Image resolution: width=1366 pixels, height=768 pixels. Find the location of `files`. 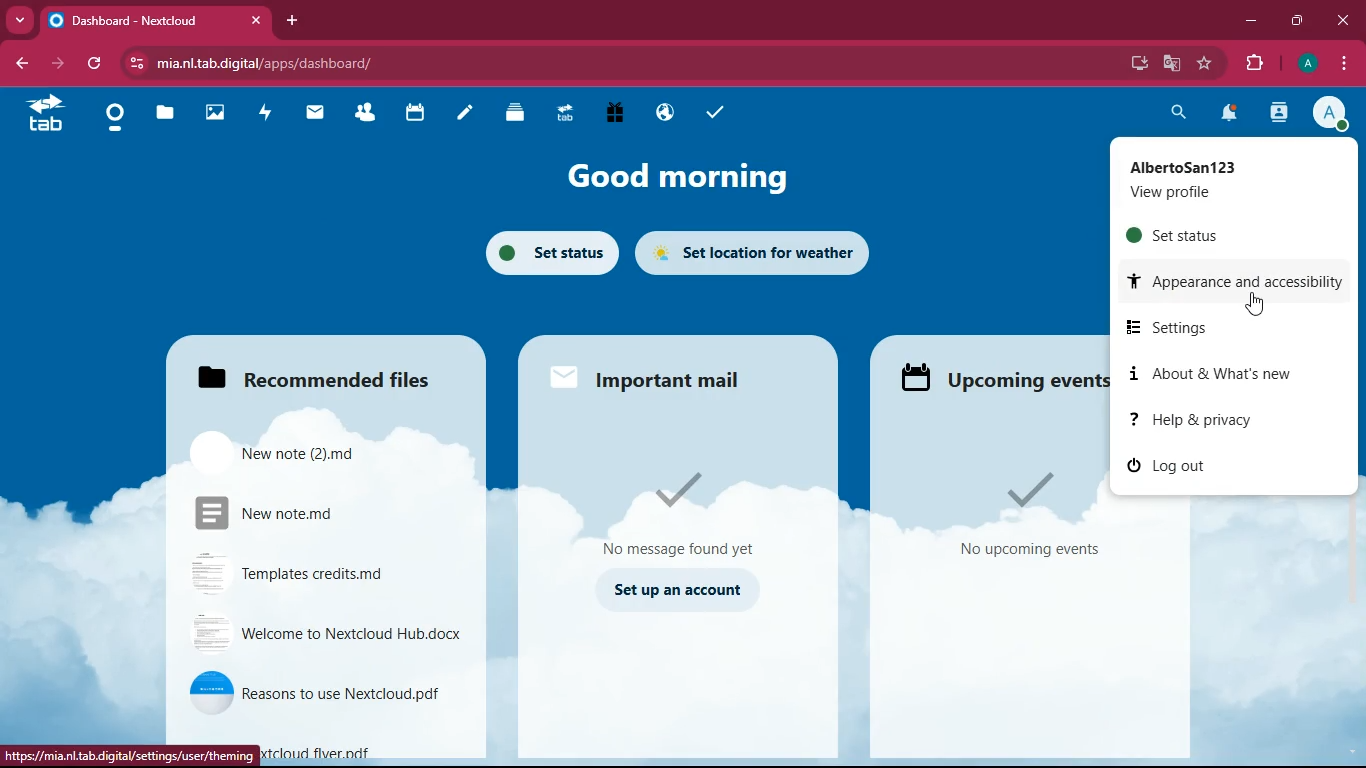

files is located at coordinates (306, 371).